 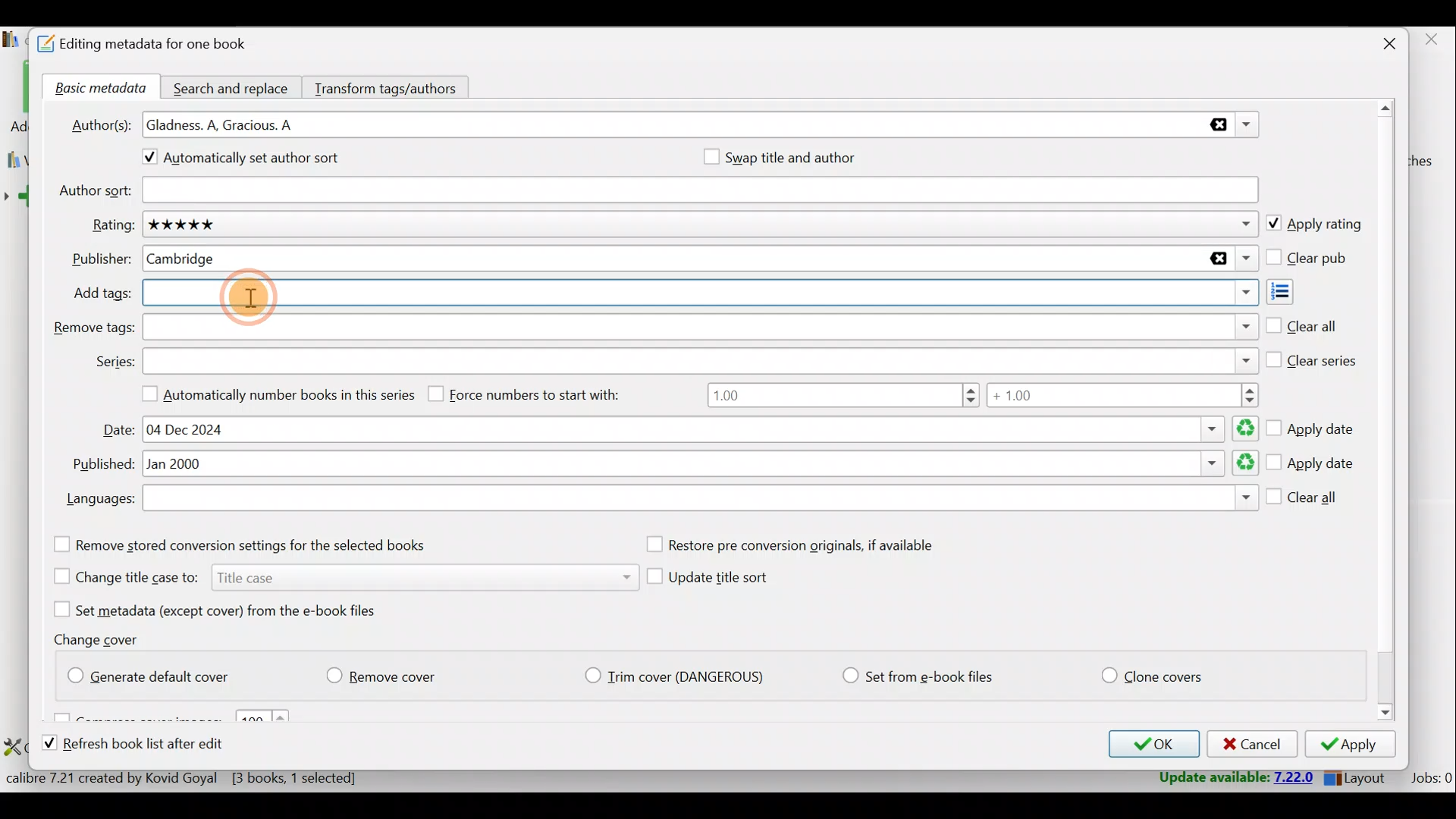 What do you see at coordinates (96, 89) in the screenshot?
I see `Basic metadata` at bounding box center [96, 89].